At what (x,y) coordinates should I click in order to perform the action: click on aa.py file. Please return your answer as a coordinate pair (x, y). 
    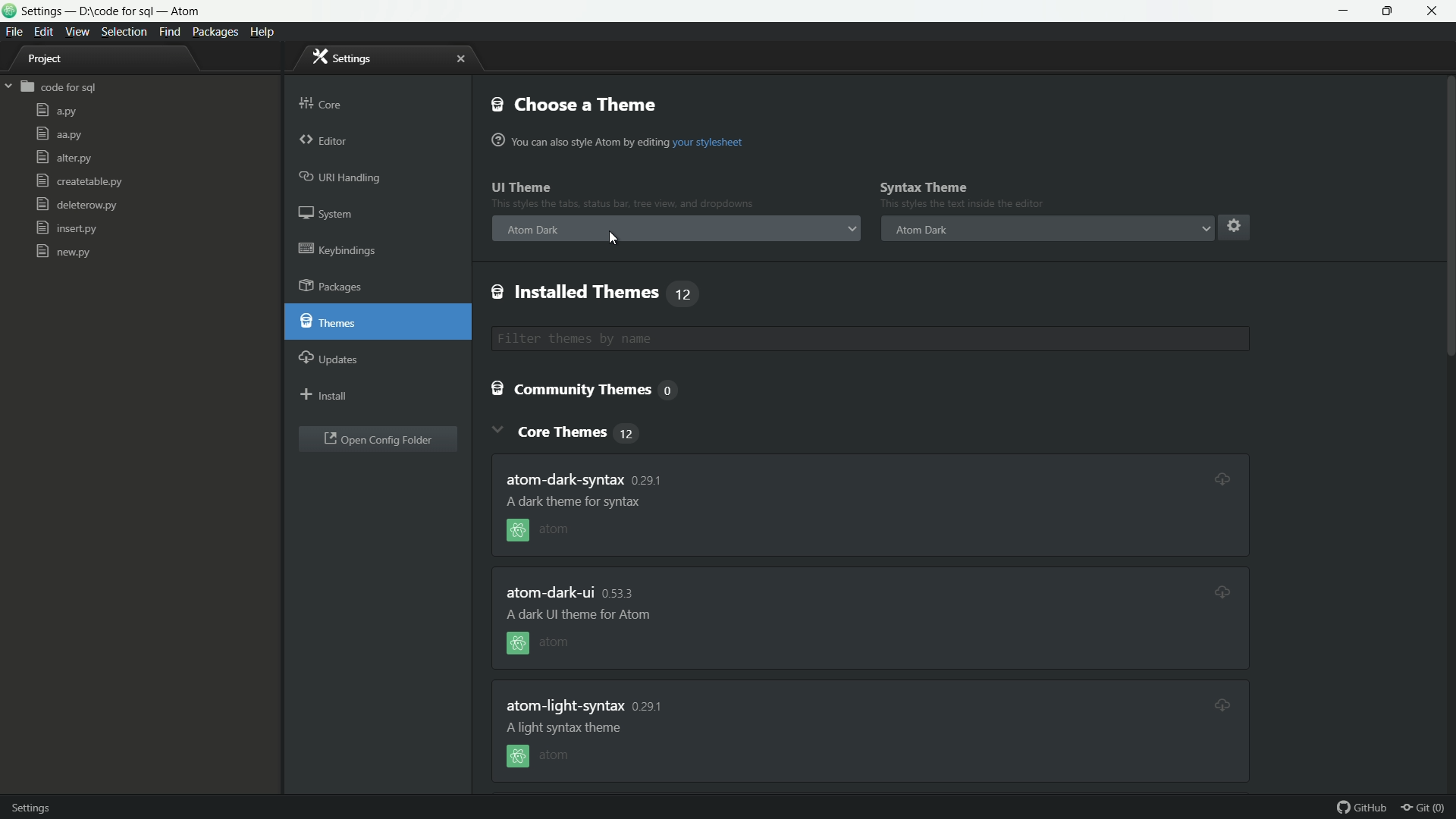
    Looking at the image, I should click on (58, 134).